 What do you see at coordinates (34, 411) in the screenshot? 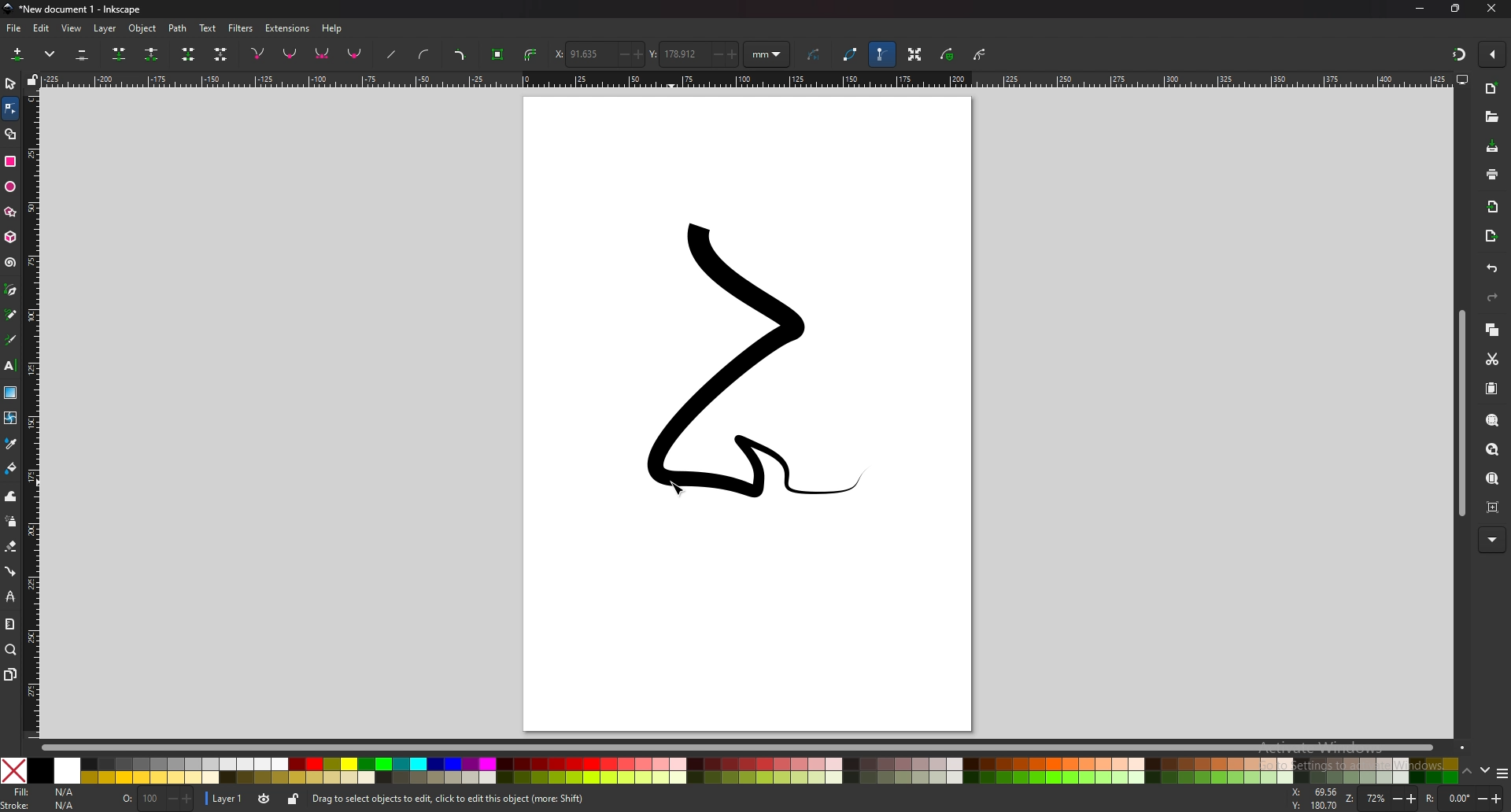
I see `vertical scale` at bounding box center [34, 411].